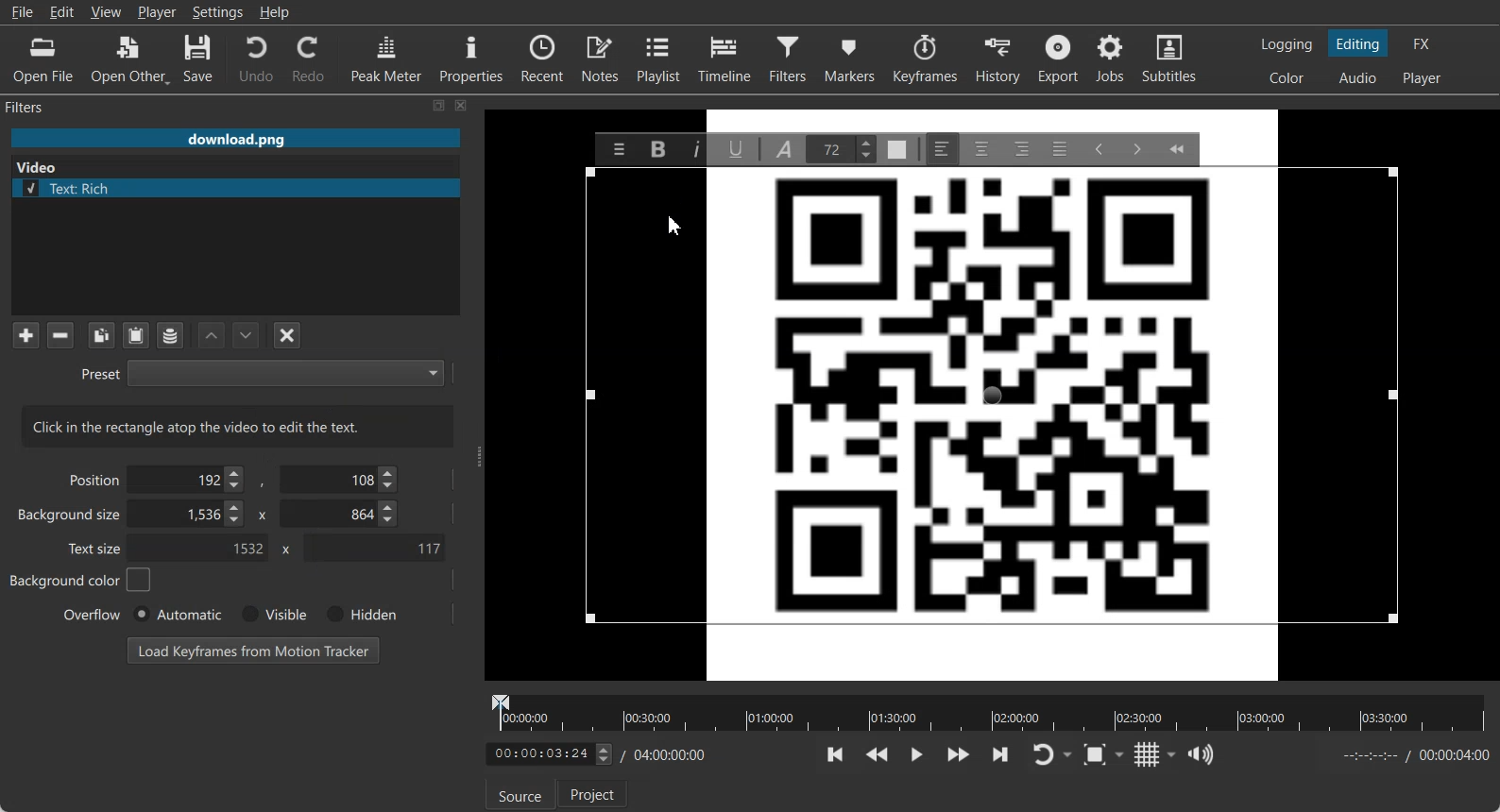 This screenshot has width=1500, height=812. I want to click on Notes, so click(602, 58).